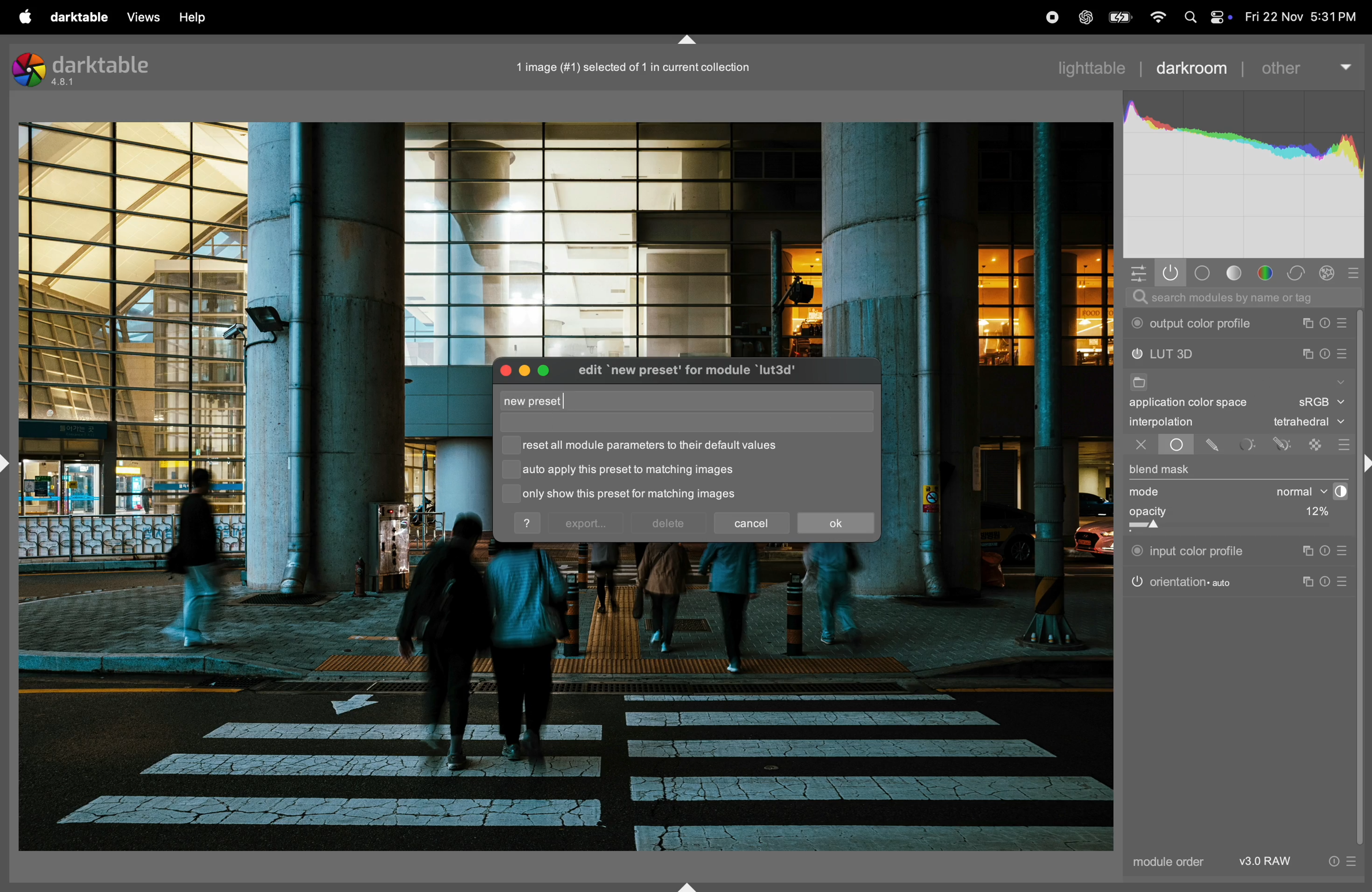  I want to click on presets, so click(1343, 444).